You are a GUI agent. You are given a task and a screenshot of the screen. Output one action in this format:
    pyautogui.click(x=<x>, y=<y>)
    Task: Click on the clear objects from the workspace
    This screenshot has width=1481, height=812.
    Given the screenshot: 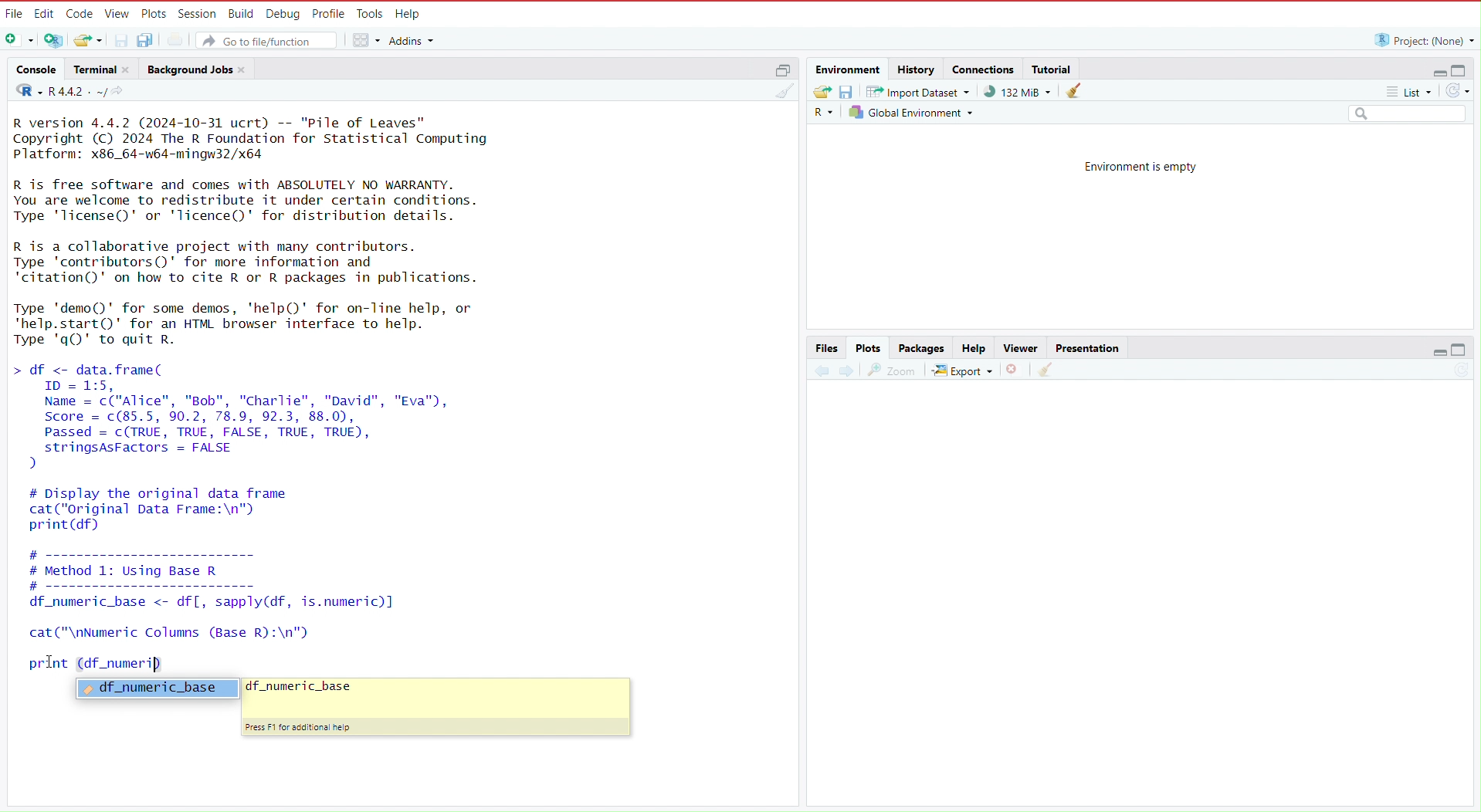 What is the action you would take?
    pyautogui.click(x=1068, y=91)
    